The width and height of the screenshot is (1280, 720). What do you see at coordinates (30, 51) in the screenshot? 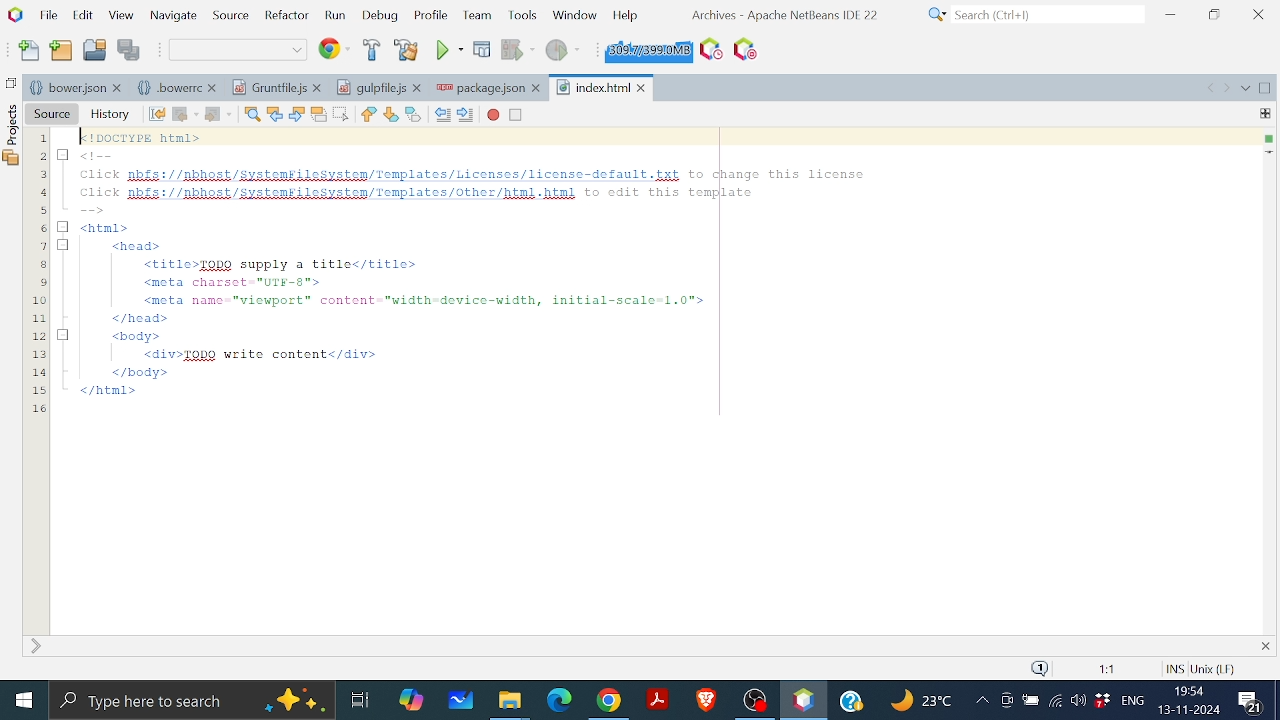
I see `Add file` at bounding box center [30, 51].